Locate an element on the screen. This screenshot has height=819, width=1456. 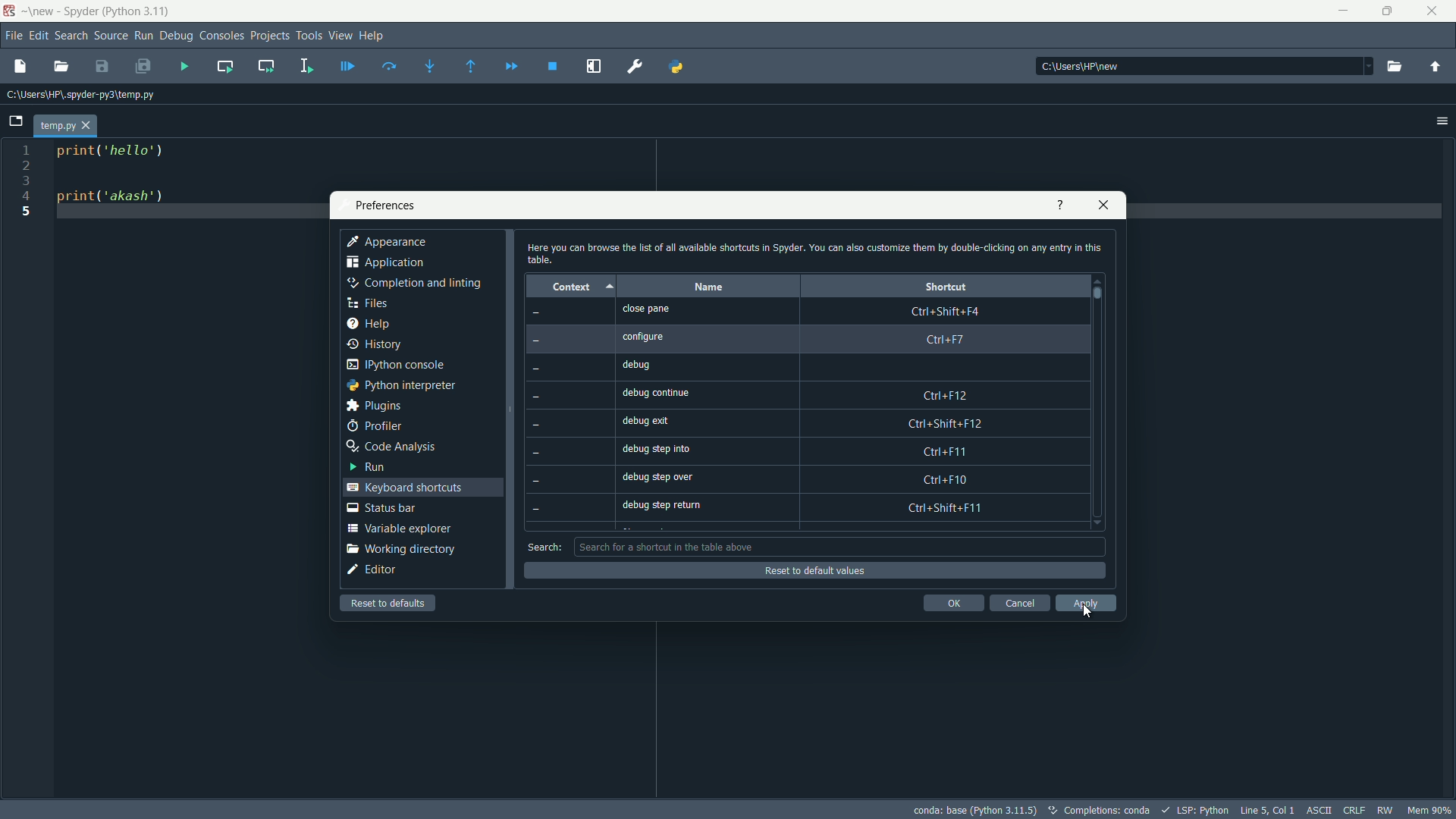
editor is located at coordinates (372, 569).